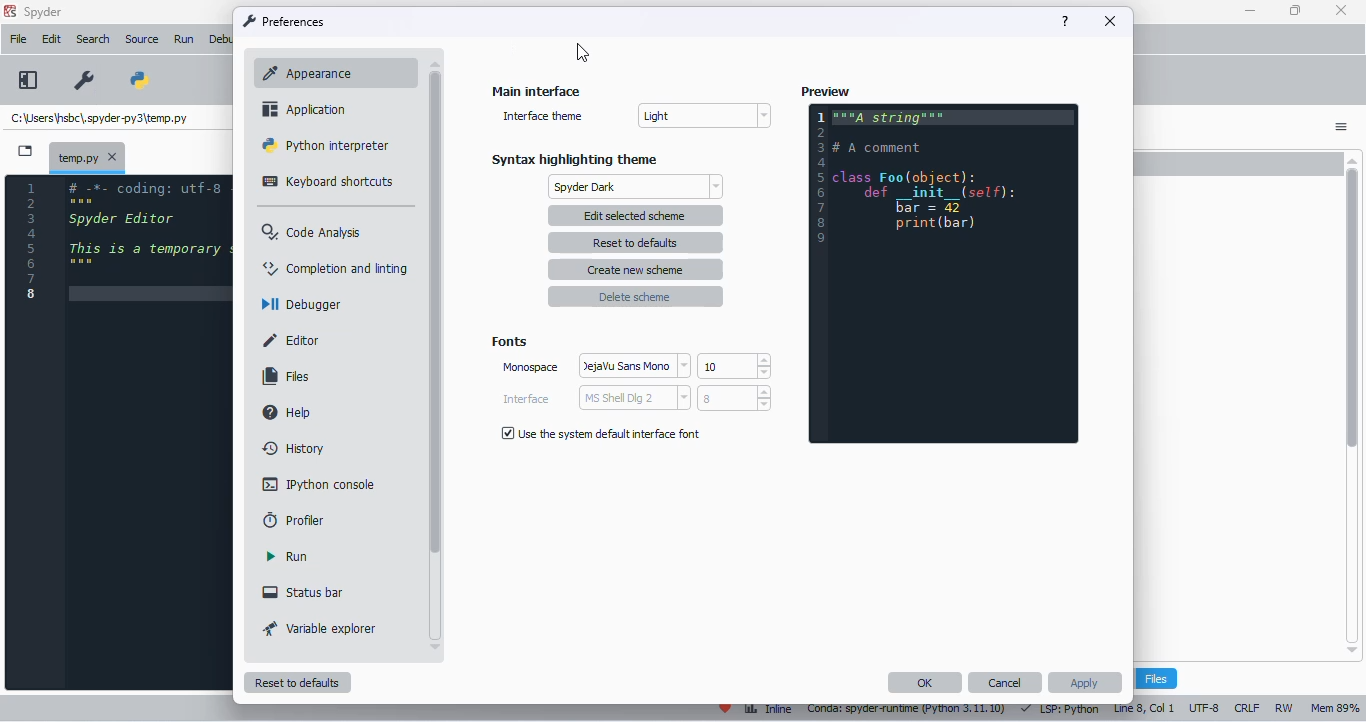 This screenshot has width=1366, height=722. I want to click on keyboard shortcuts, so click(330, 181).